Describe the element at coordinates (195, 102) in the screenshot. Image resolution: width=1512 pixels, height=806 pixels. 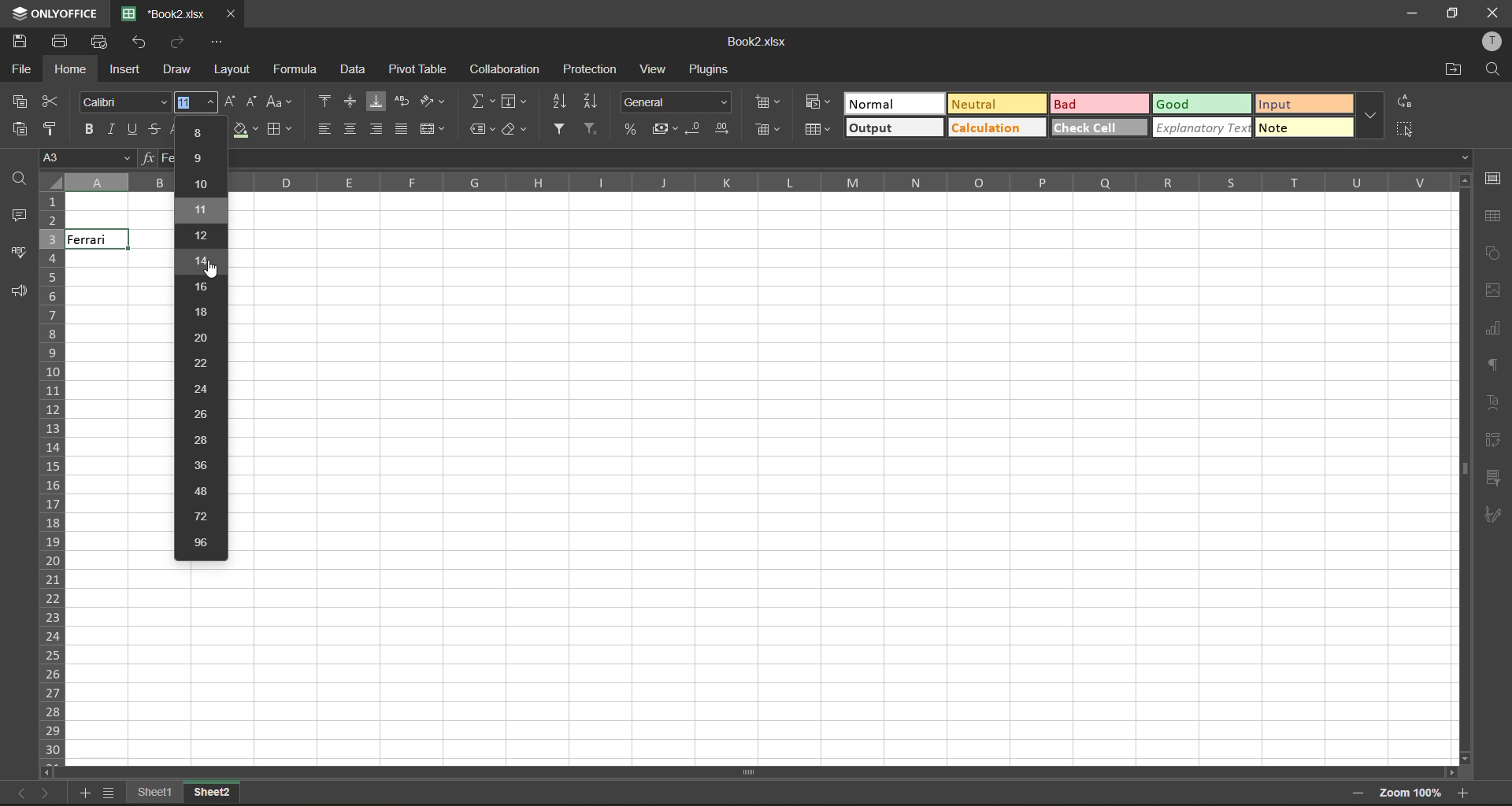
I see `font size` at that location.